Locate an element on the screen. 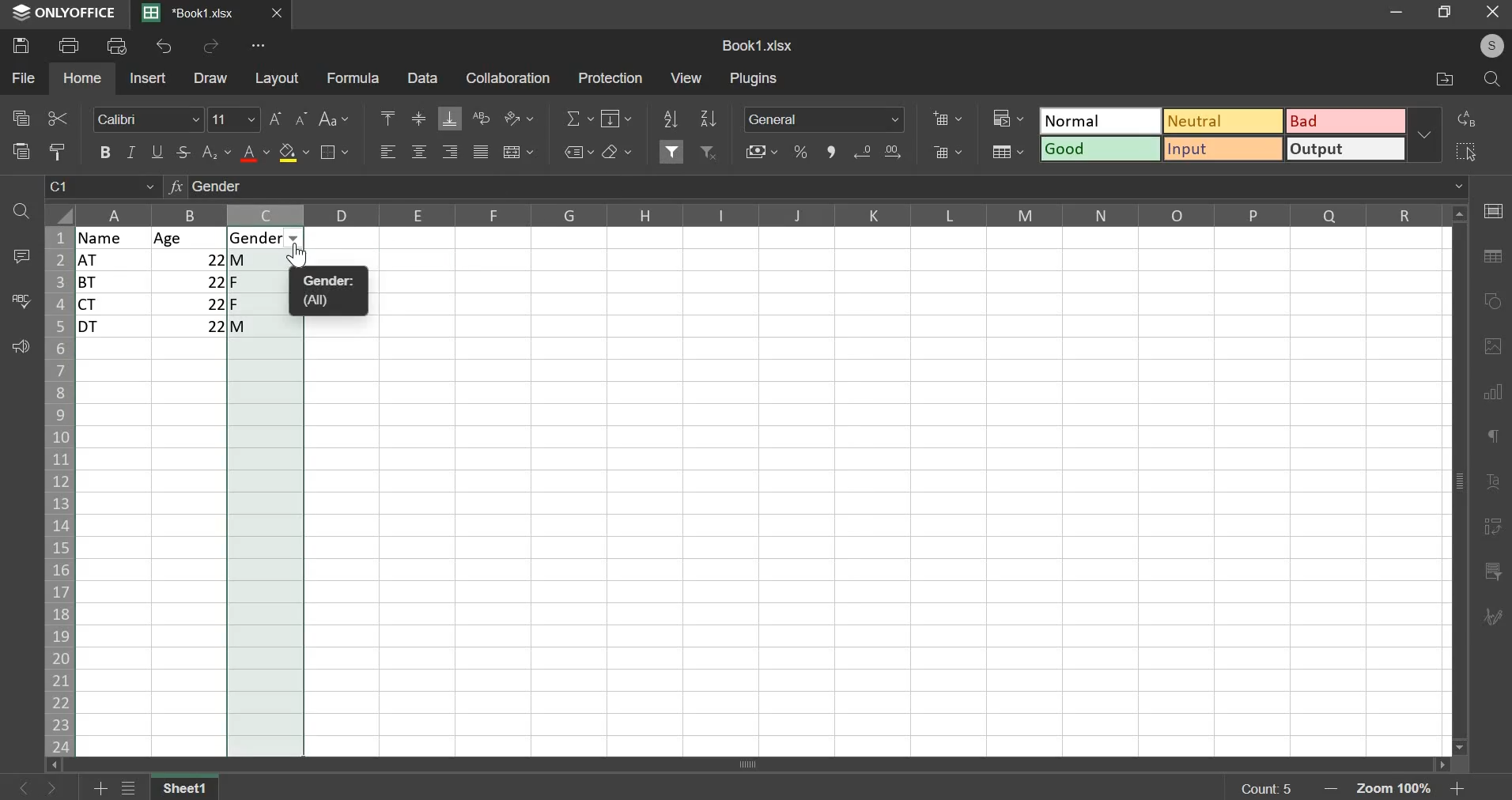 The height and width of the screenshot is (800, 1512). previous is located at coordinates (58, 787).